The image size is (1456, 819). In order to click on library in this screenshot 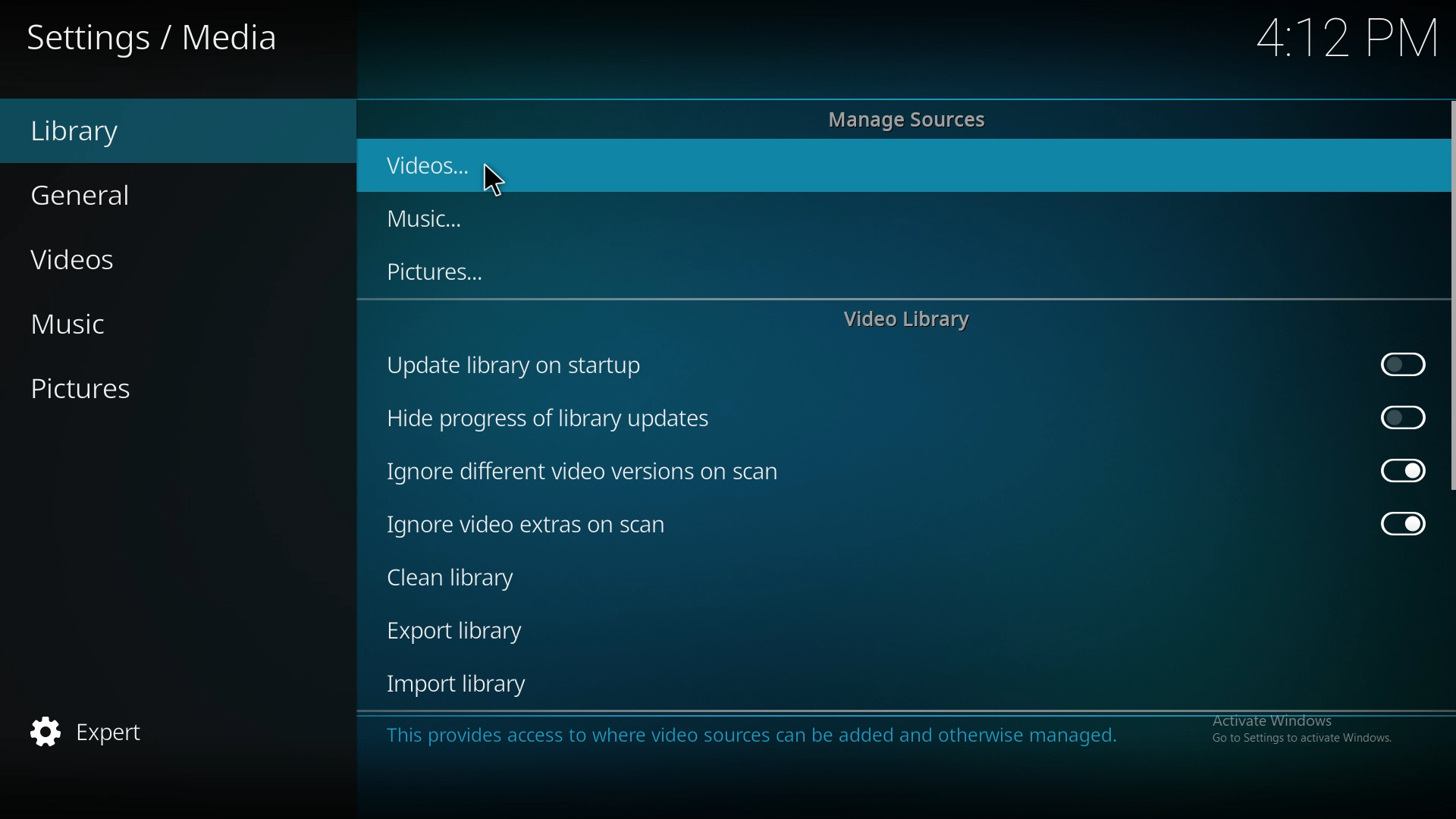, I will do `click(105, 130)`.